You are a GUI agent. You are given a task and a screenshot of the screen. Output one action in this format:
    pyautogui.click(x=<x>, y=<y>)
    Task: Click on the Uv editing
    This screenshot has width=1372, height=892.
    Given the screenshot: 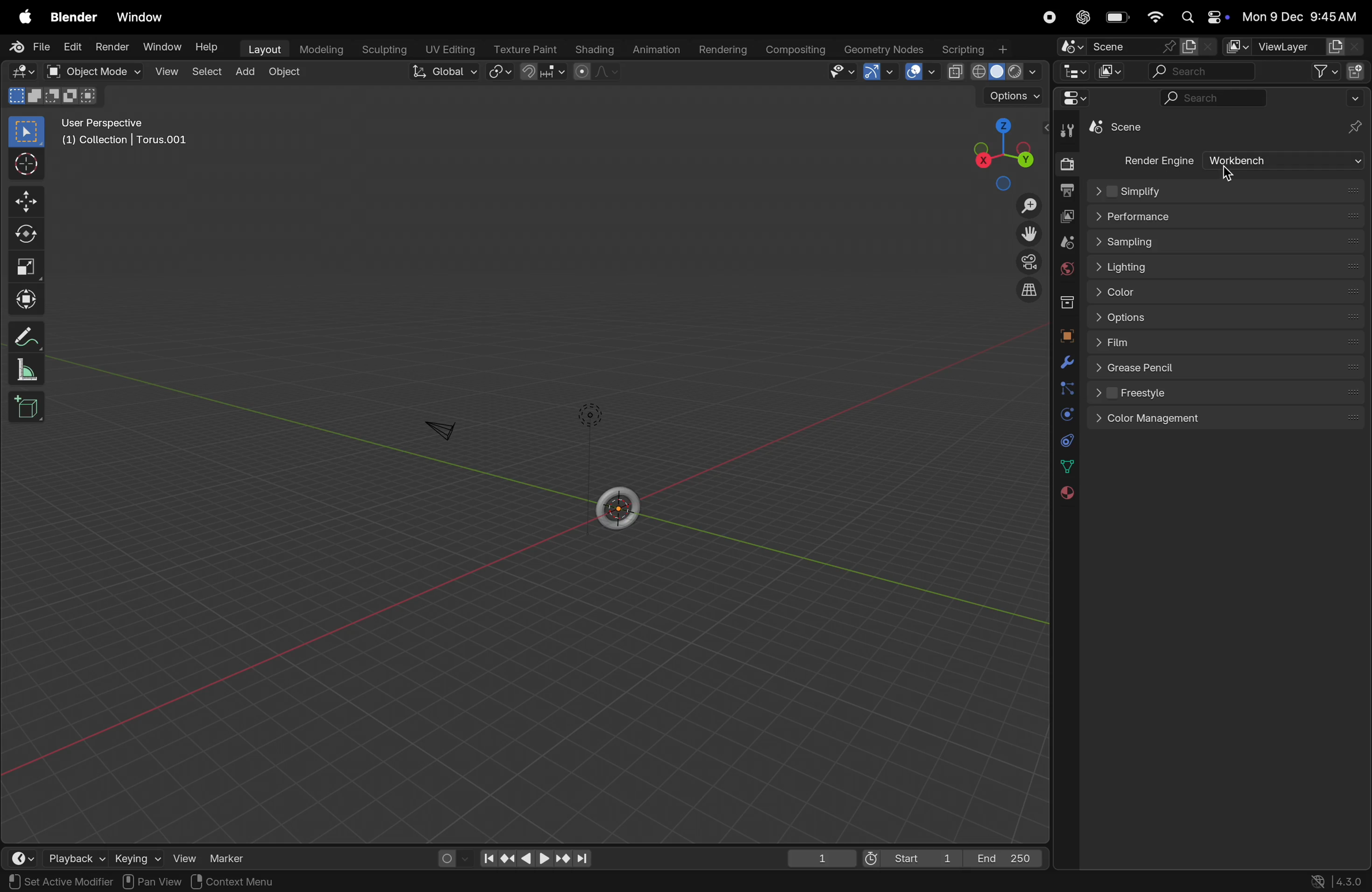 What is the action you would take?
    pyautogui.click(x=450, y=48)
    